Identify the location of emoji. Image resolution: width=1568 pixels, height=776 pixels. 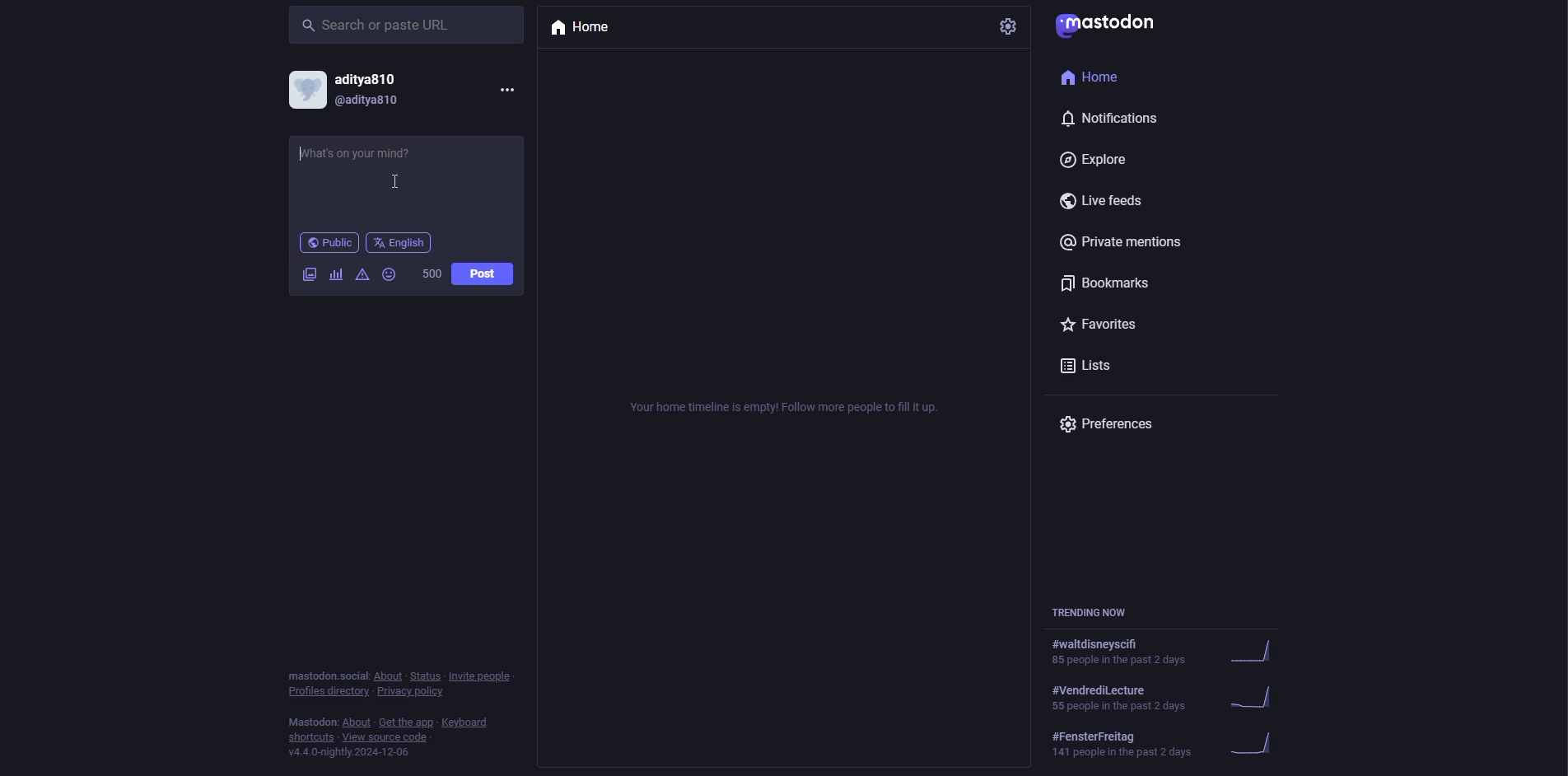
(390, 273).